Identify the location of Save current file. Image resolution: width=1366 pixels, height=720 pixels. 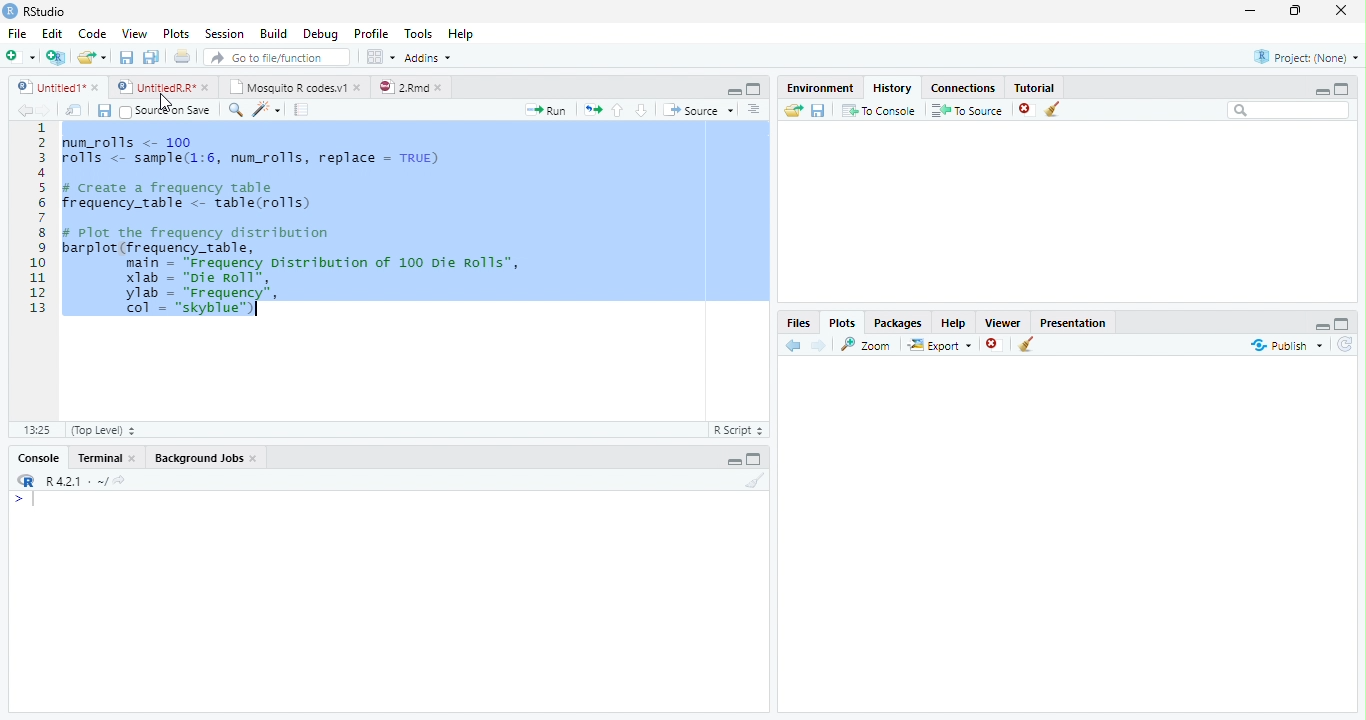
(126, 57).